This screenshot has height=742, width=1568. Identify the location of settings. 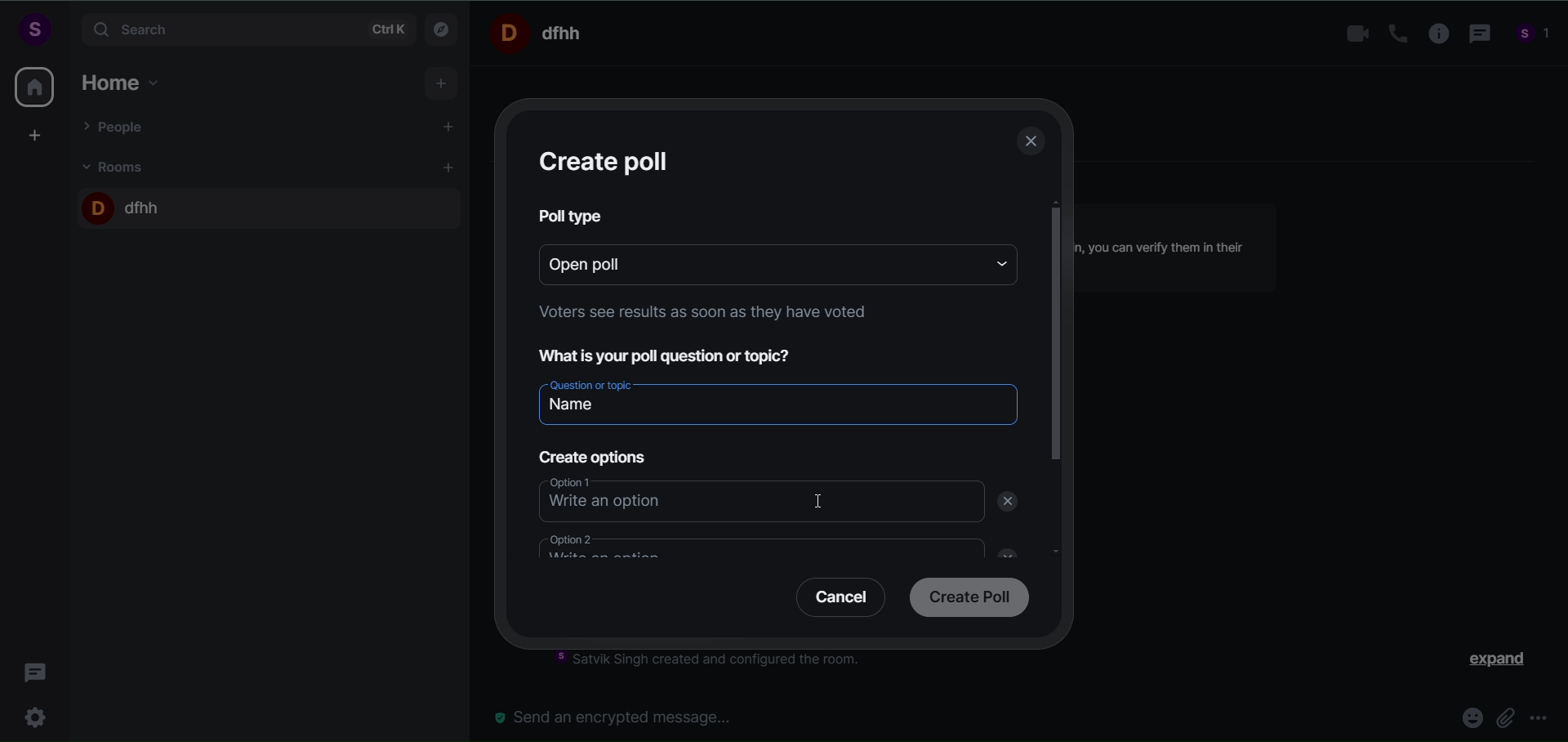
(39, 715).